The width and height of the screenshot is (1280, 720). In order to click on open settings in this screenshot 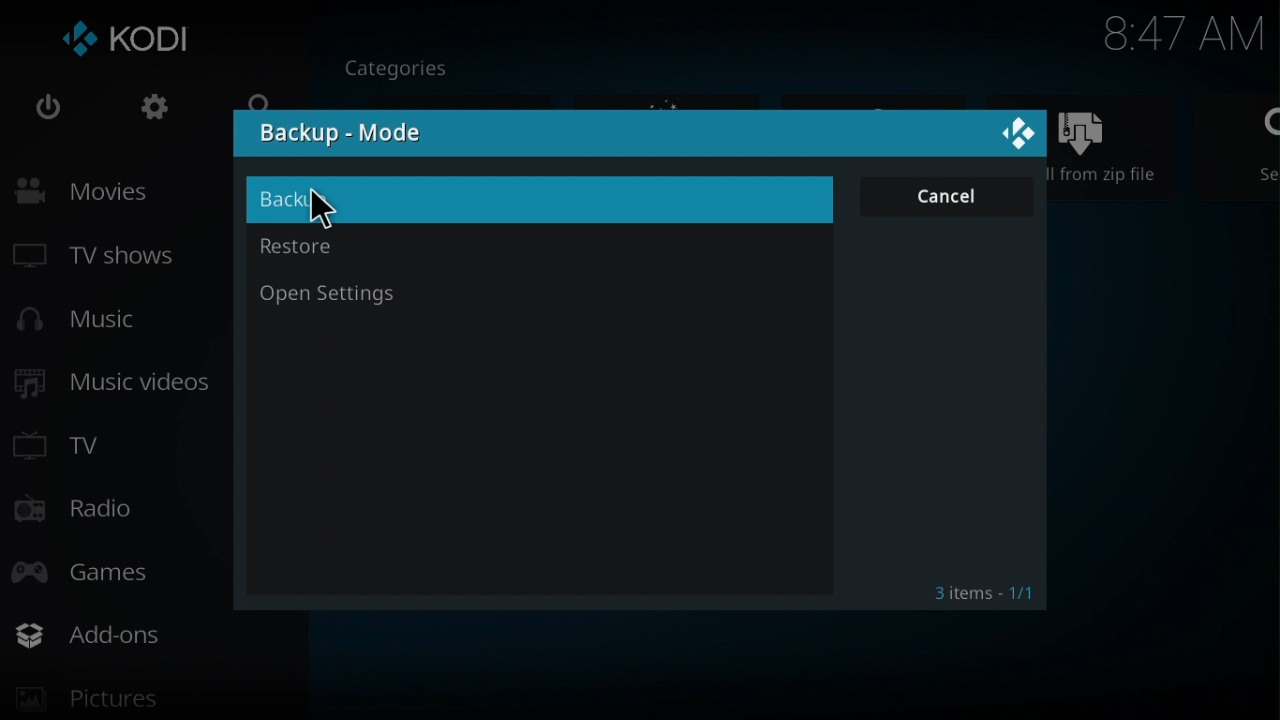, I will do `click(534, 297)`.